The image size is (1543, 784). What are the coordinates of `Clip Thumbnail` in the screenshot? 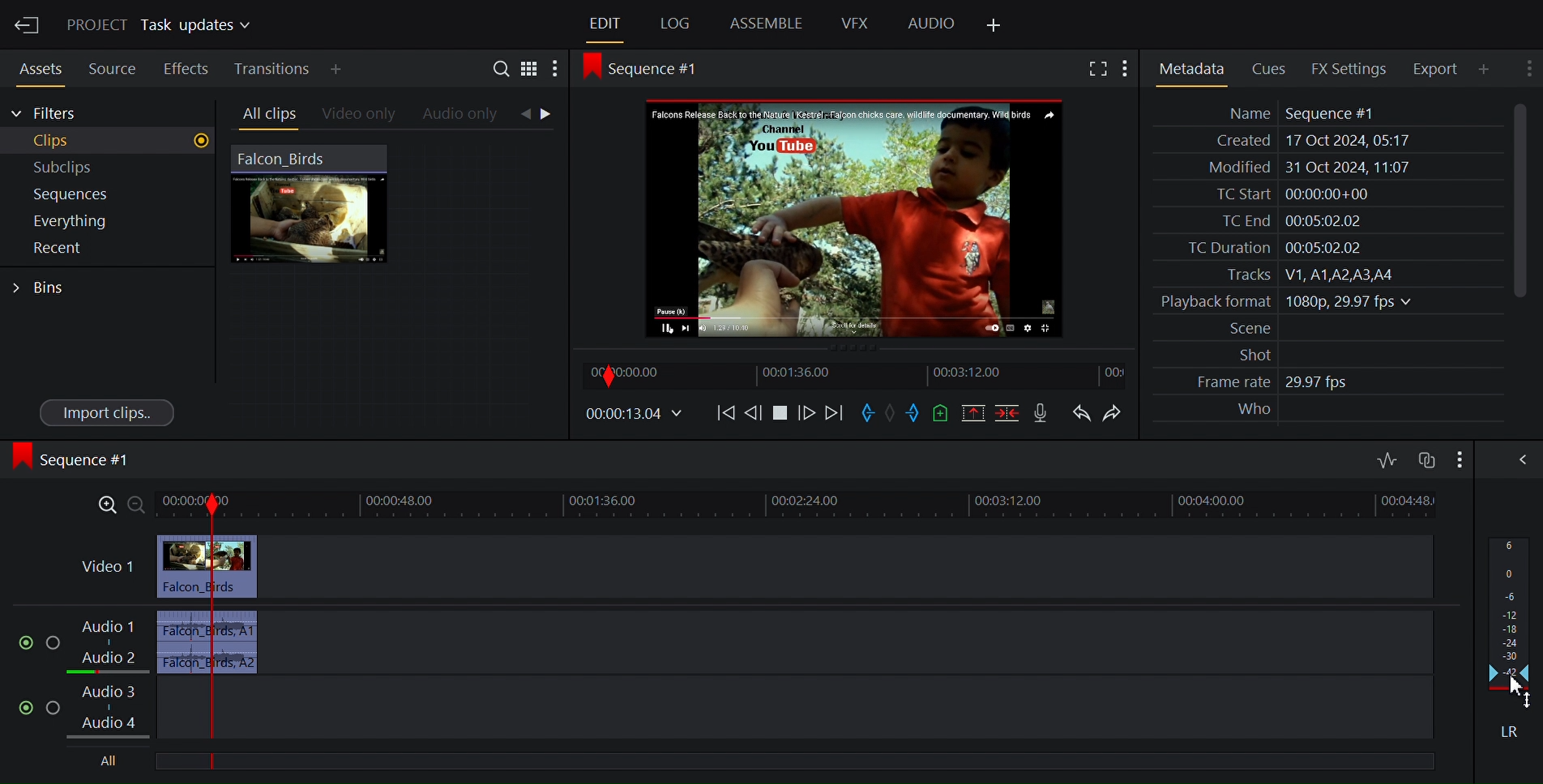 It's located at (395, 283).